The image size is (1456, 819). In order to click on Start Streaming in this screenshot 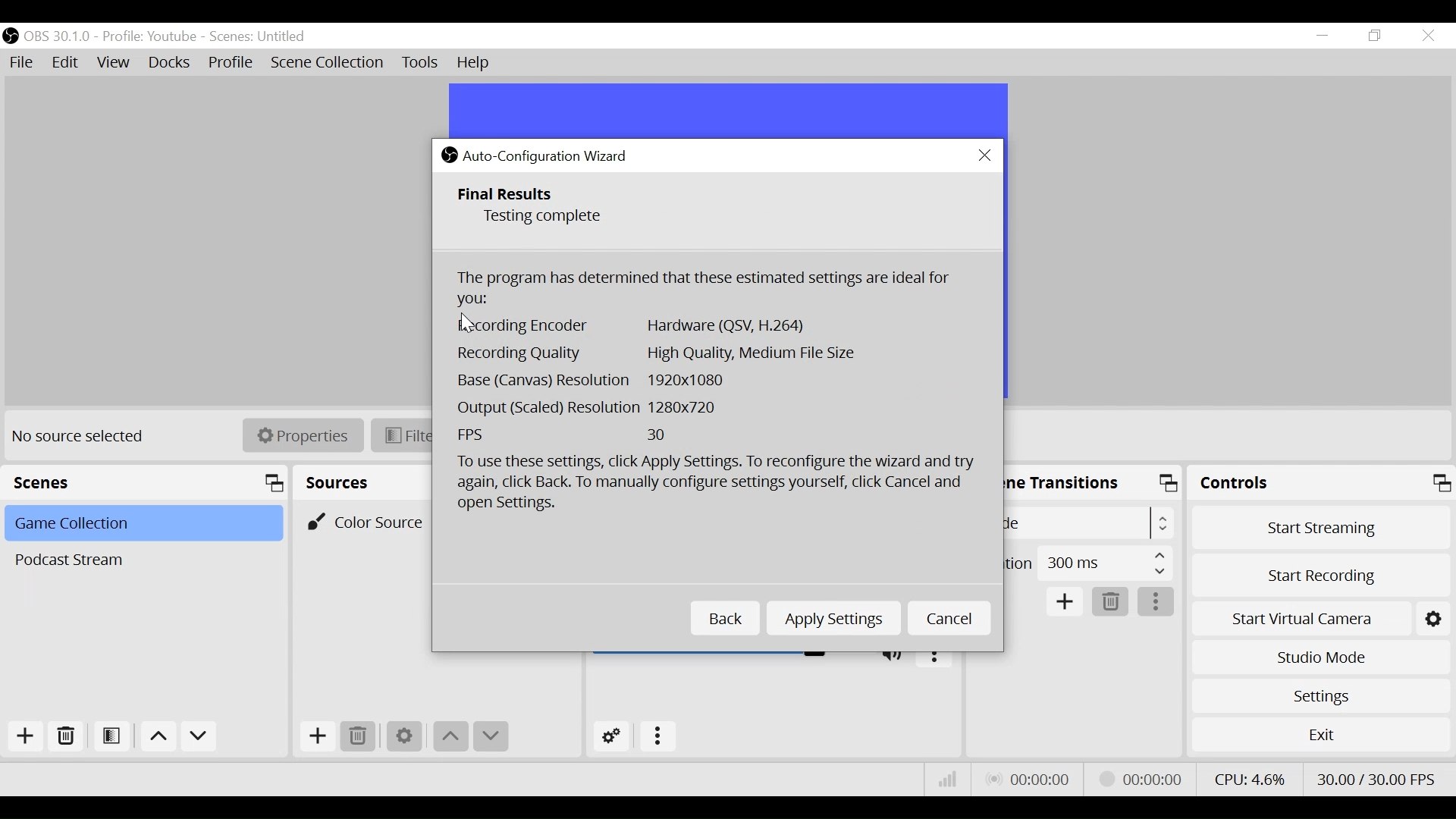, I will do `click(1317, 526)`.